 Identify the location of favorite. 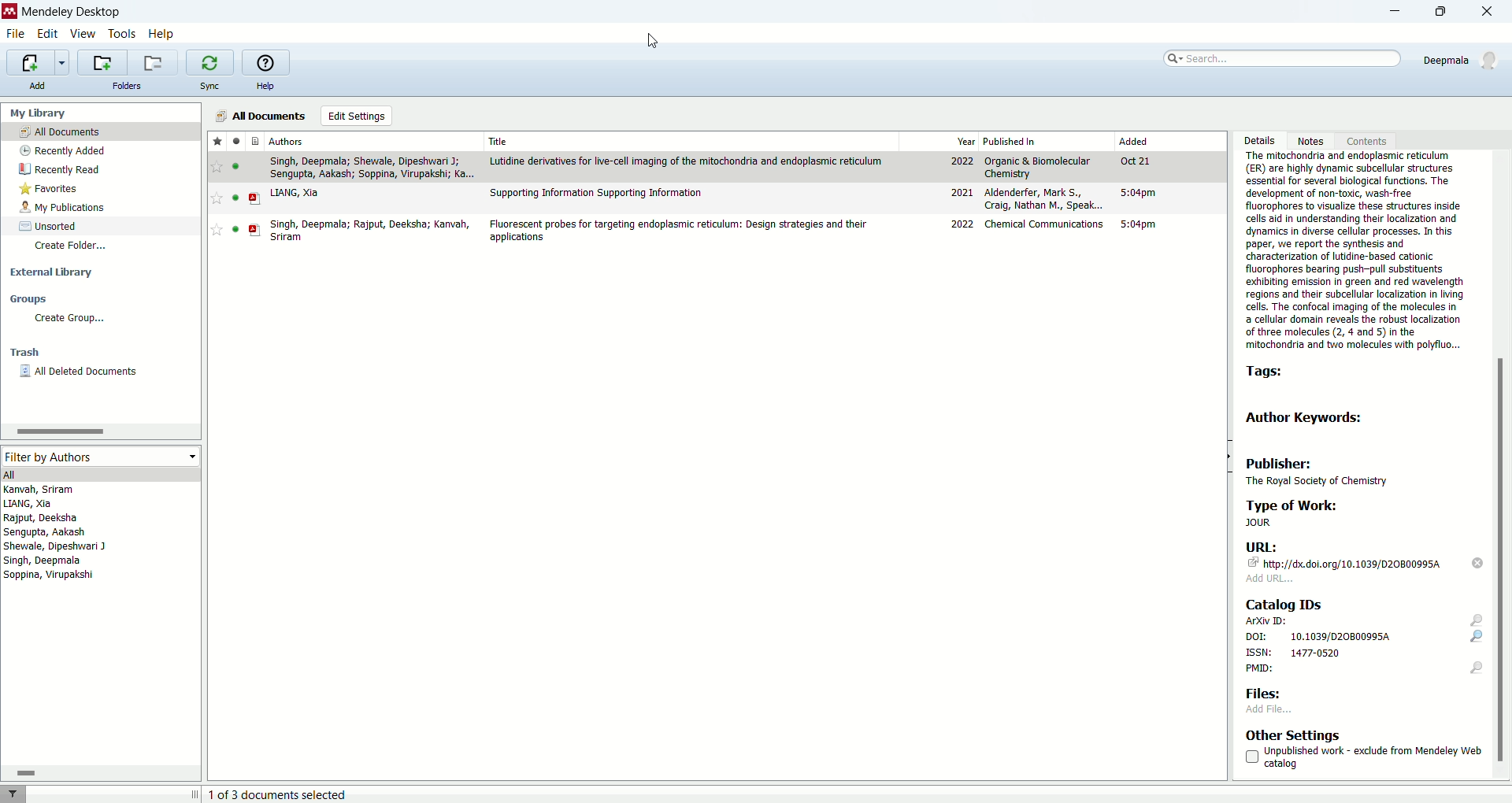
(217, 198).